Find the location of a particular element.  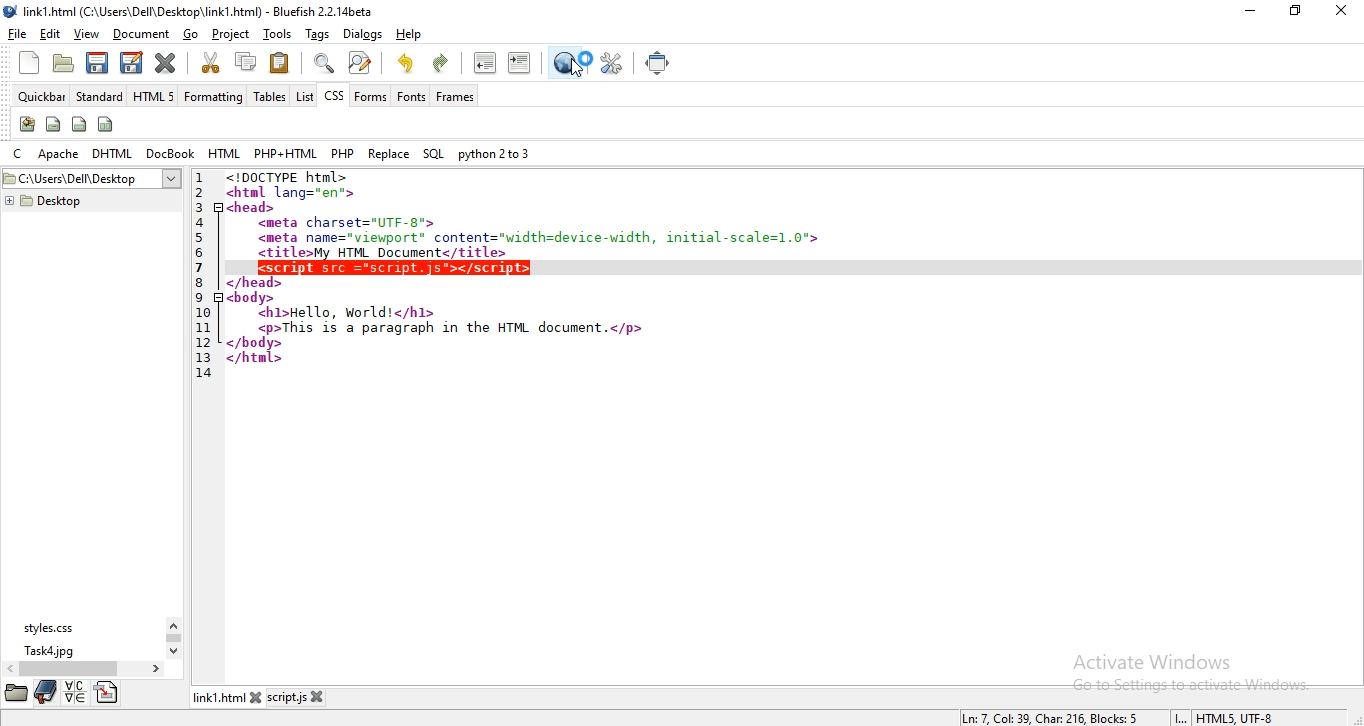

close is located at coordinates (263, 695).